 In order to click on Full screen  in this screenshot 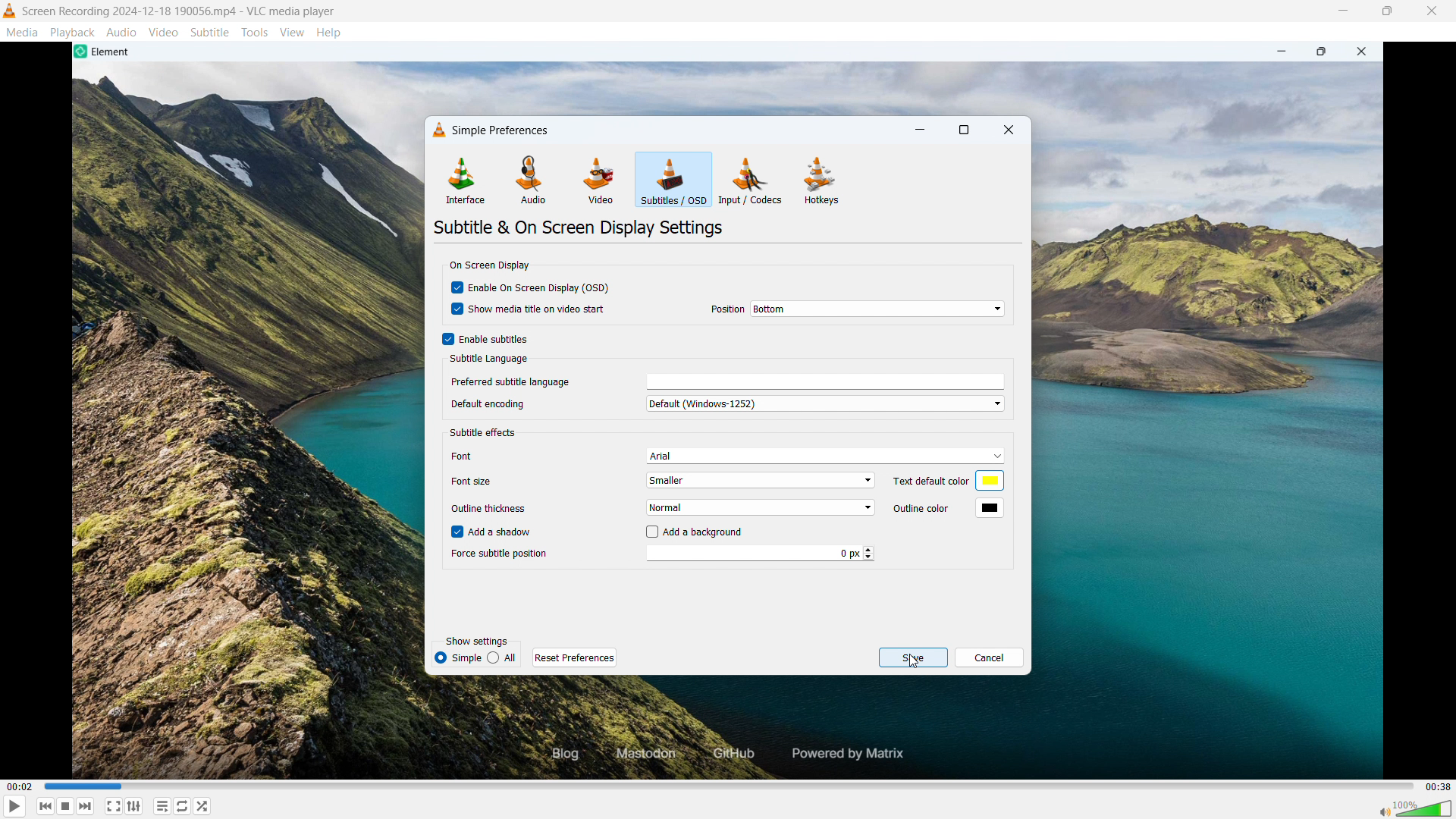, I will do `click(114, 805)`.